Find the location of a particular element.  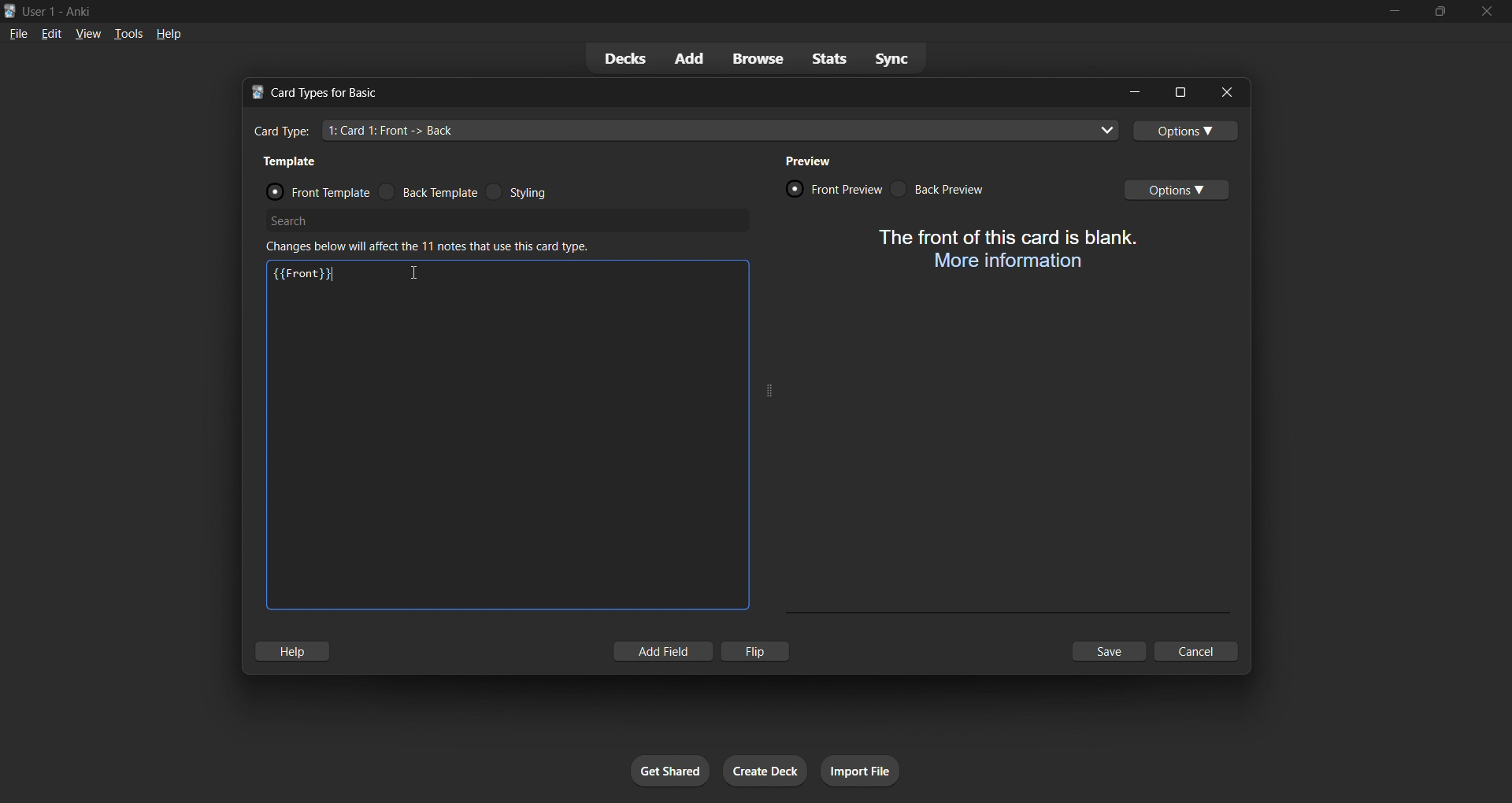

customization input field is located at coordinates (502, 443).